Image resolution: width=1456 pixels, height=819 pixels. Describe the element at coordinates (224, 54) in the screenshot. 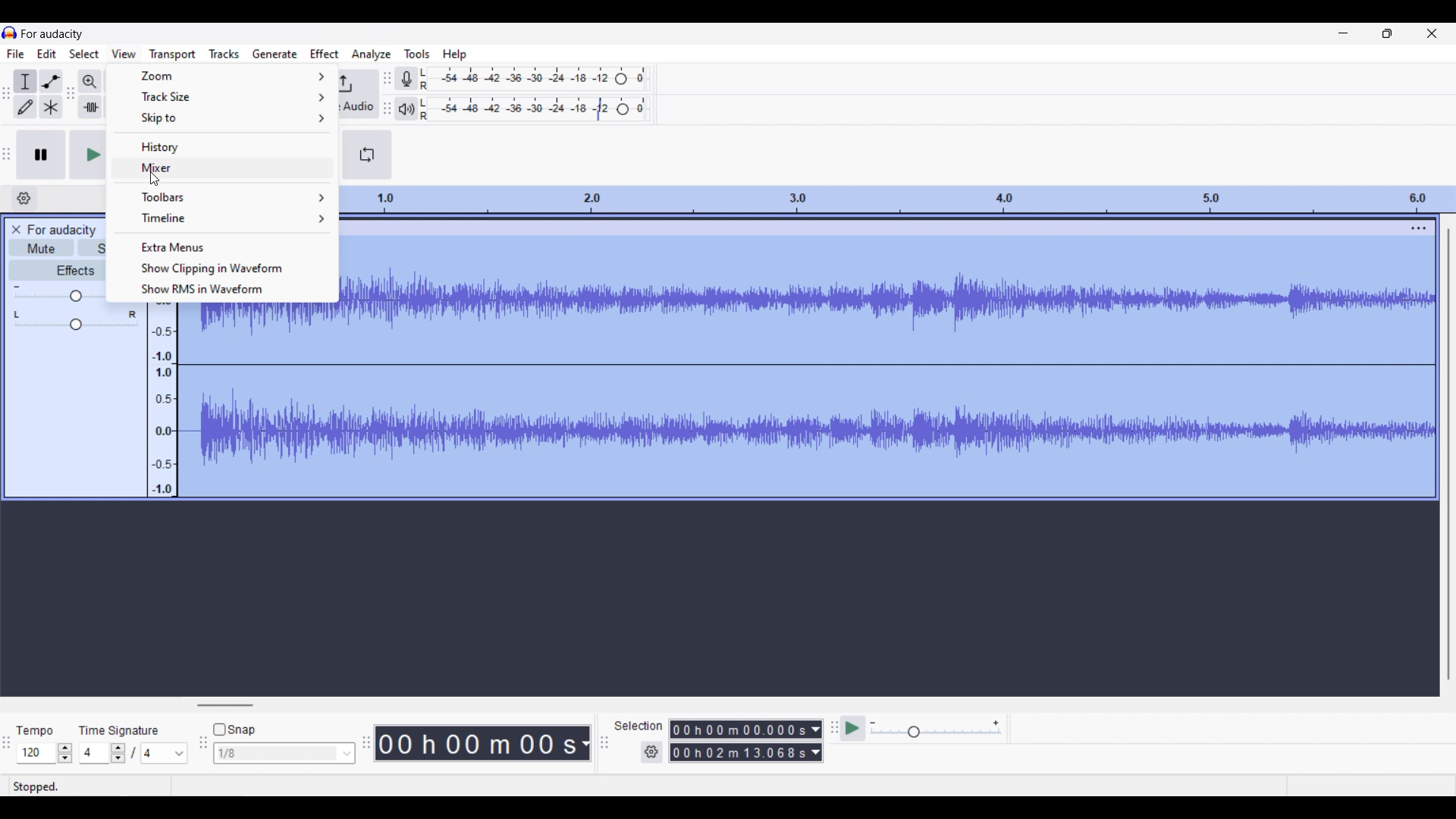

I see `Tracks menu` at that location.